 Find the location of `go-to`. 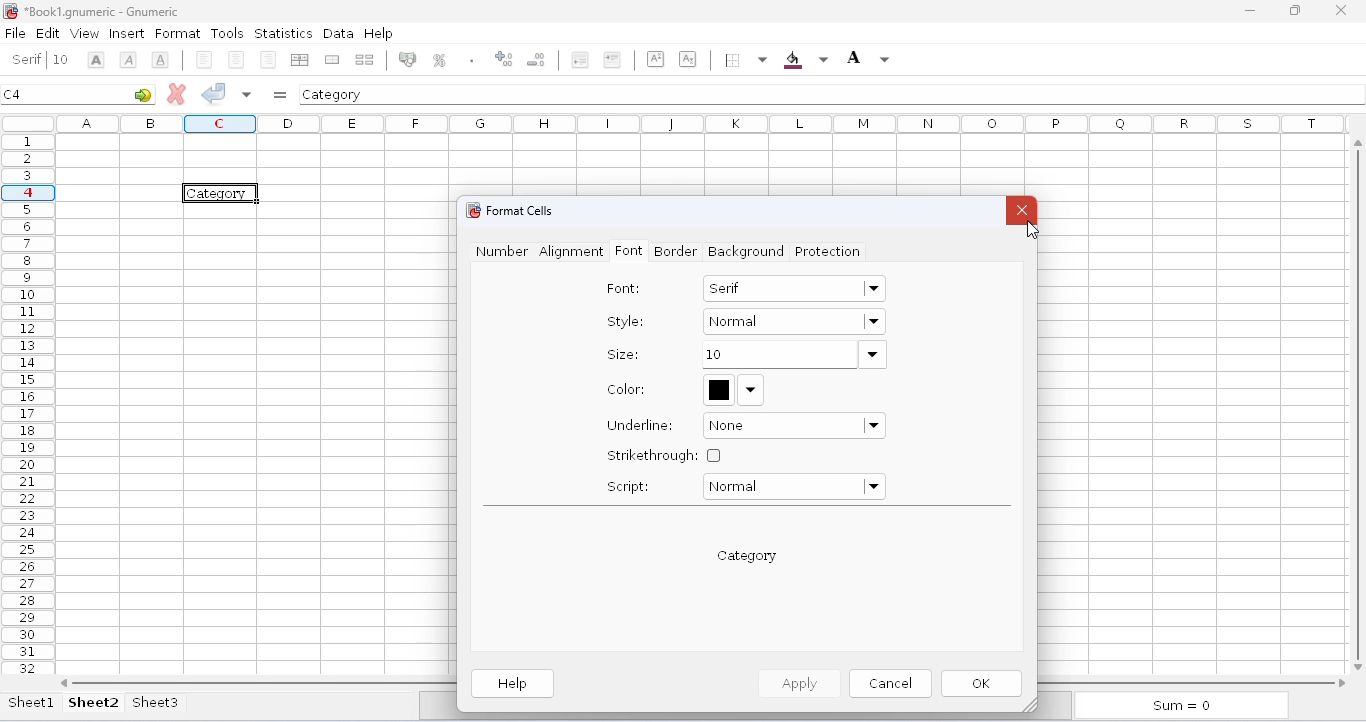

go-to is located at coordinates (143, 94).